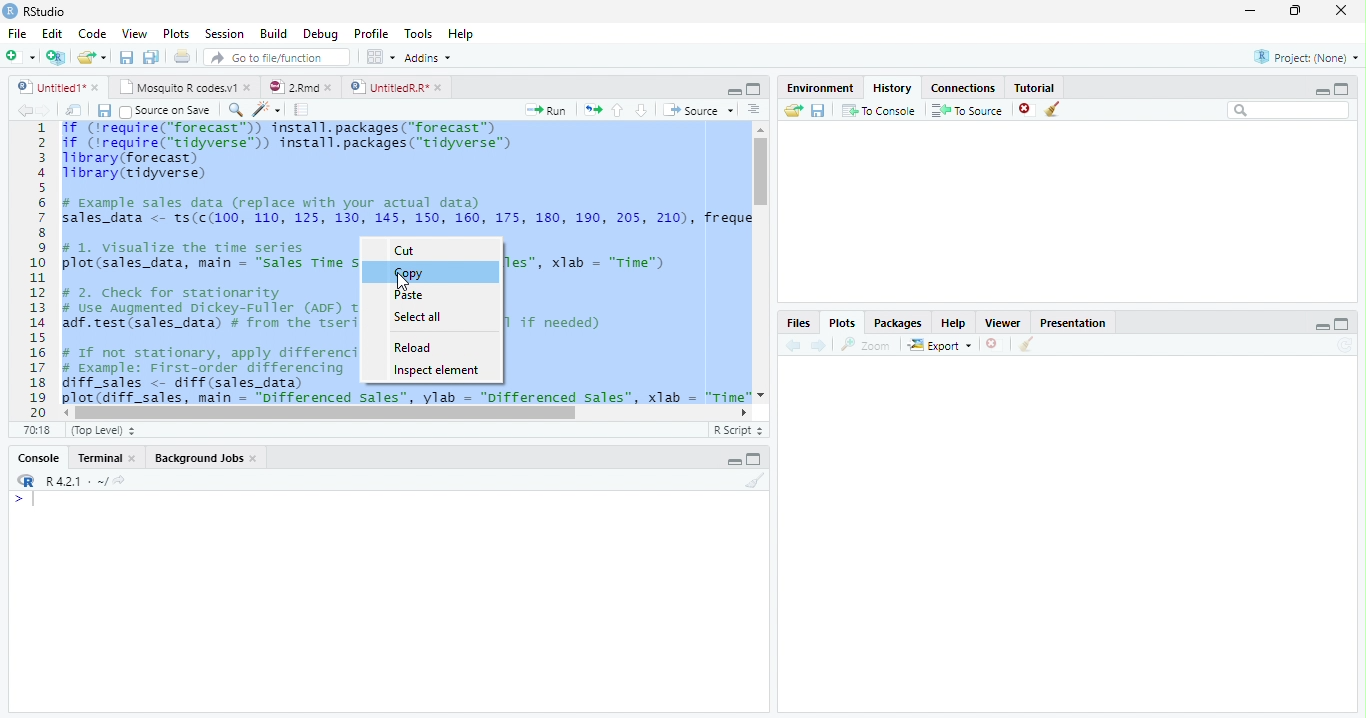 The width and height of the screenshot is (1366, 718). I want to click on Search, so click(1289, 111).